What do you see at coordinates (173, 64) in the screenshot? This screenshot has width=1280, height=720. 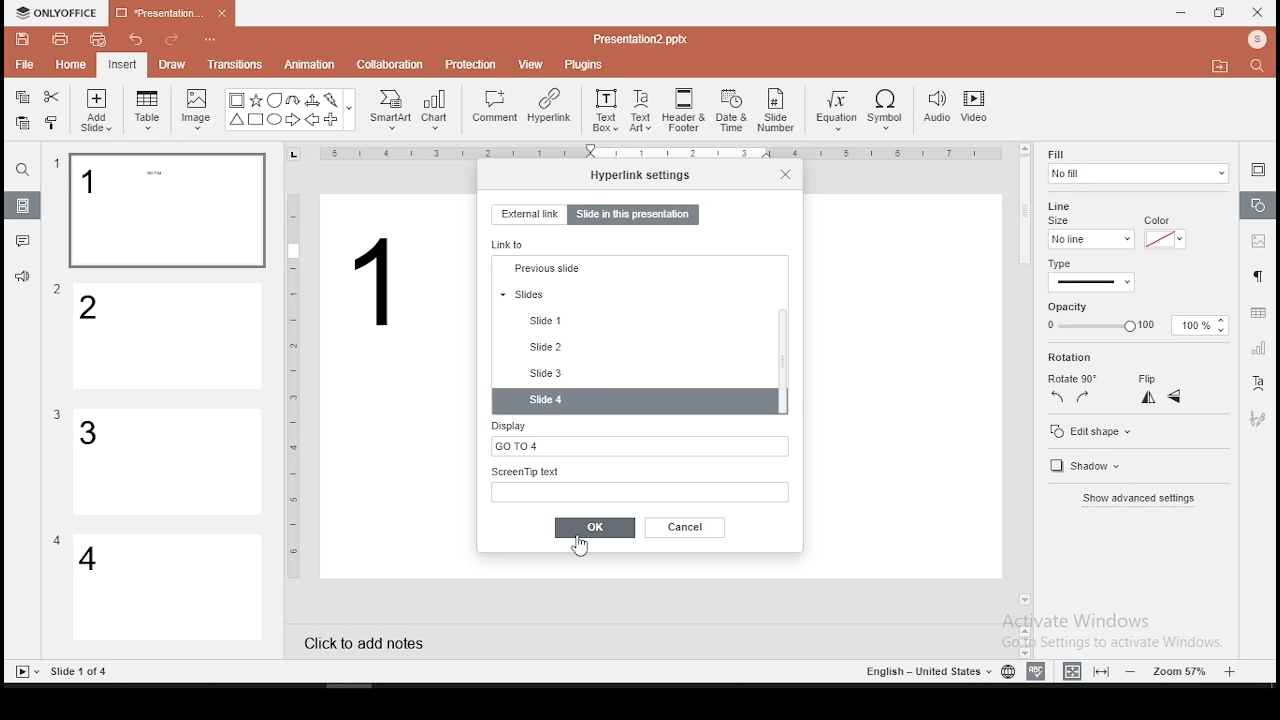 I see `draw` at bounding box center [173, 64].